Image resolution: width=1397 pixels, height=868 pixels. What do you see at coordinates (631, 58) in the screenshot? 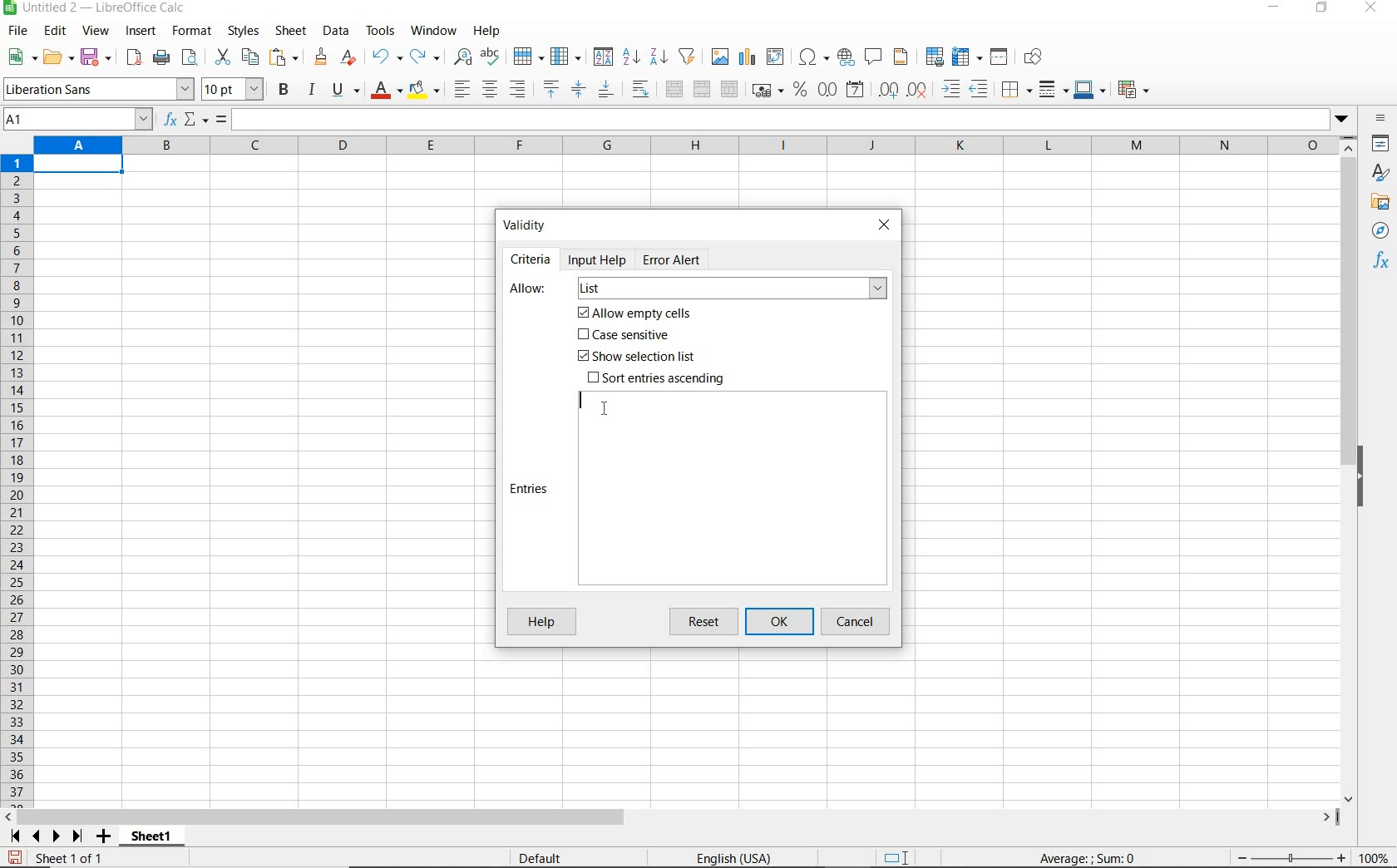
I see `sort ascending` at bounding box center [631, 58].